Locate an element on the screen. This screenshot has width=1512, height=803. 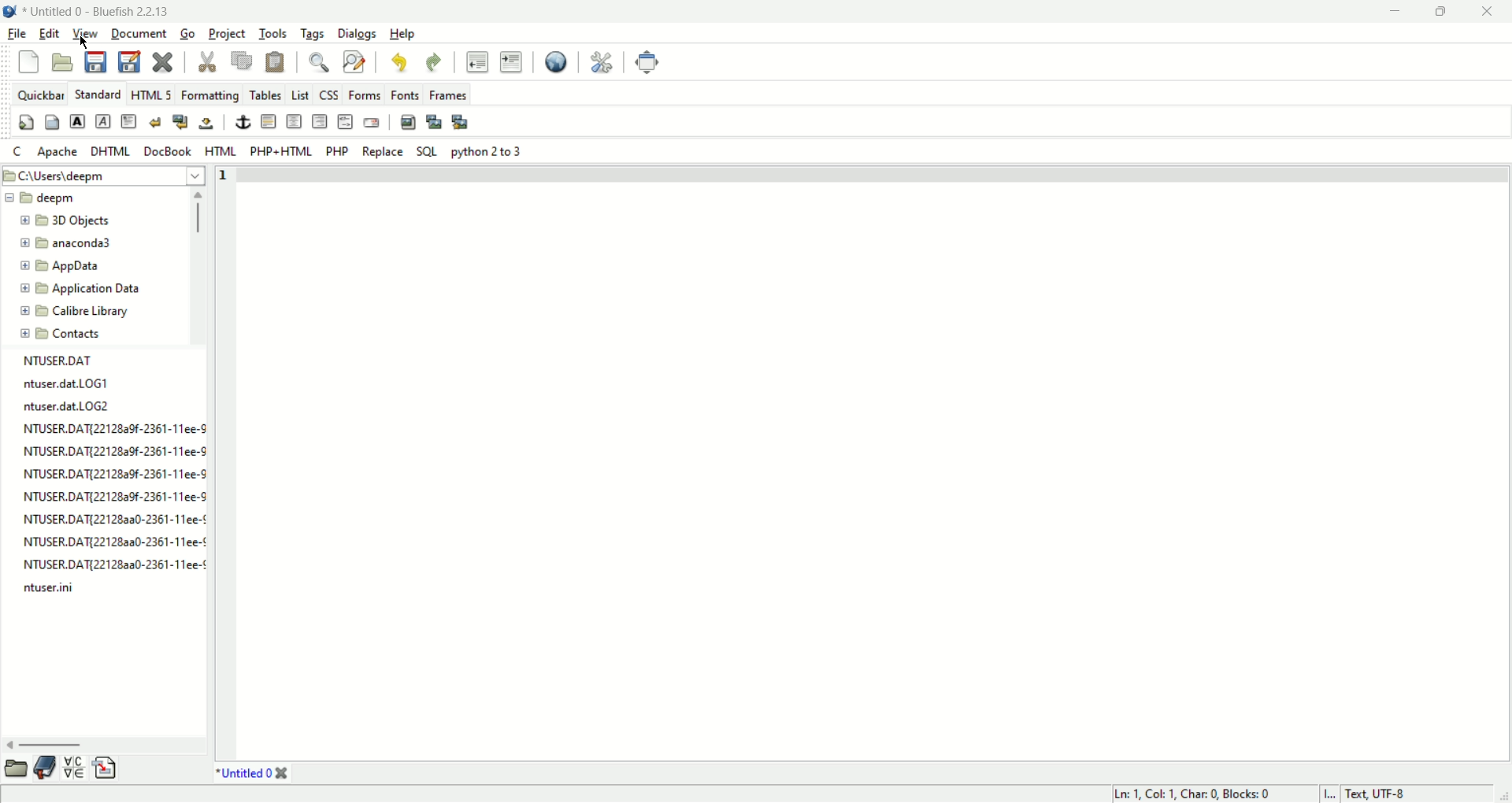
Replace is located at coordinates (382, 153).